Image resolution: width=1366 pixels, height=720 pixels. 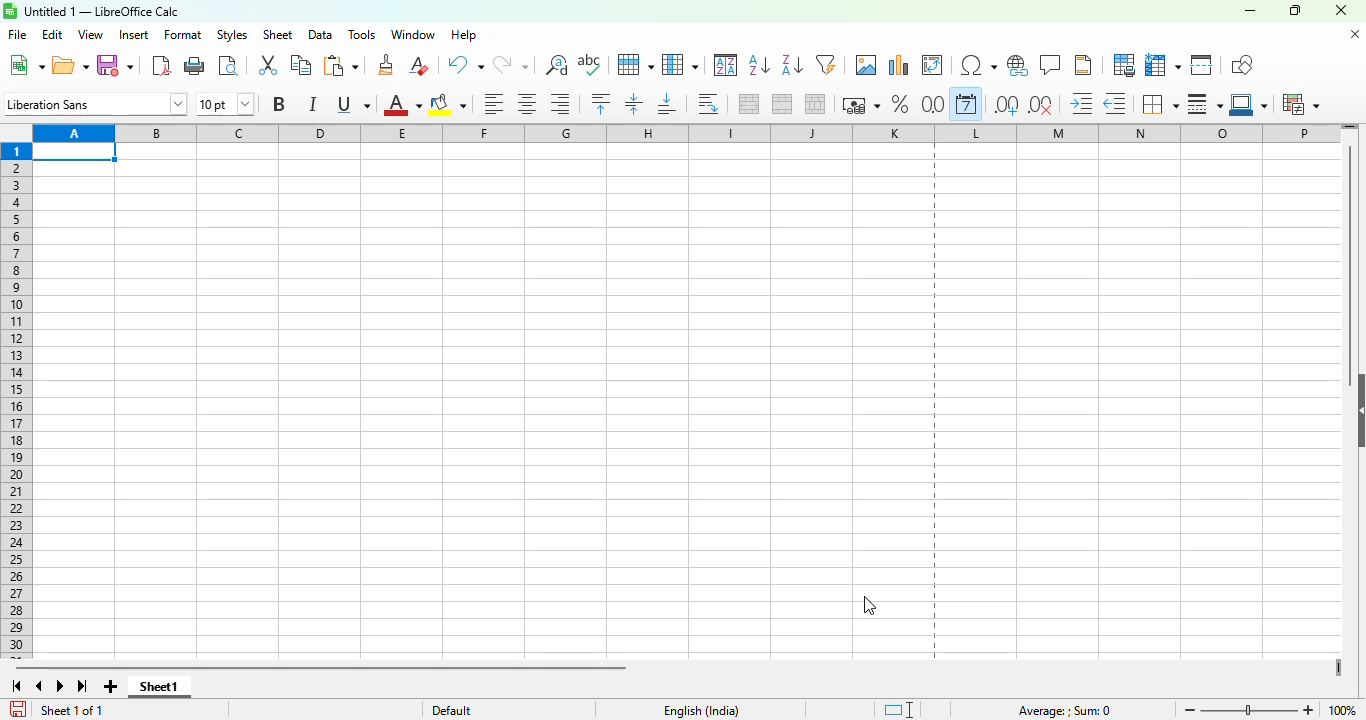 I want to click on zoom in, so click(x=1309, y=710).